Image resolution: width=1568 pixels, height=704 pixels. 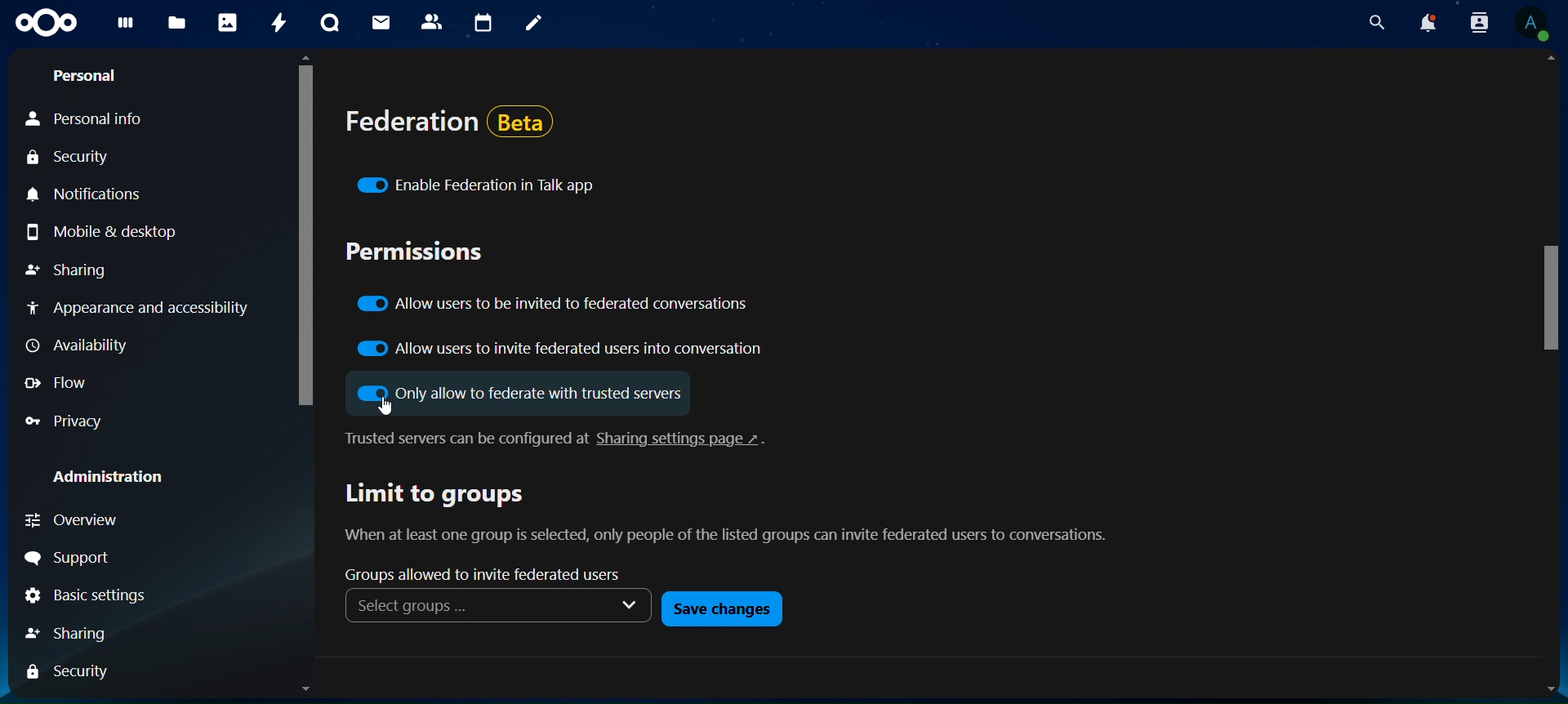 I want to click on mobile & desktop, so click(x=102, y=237).